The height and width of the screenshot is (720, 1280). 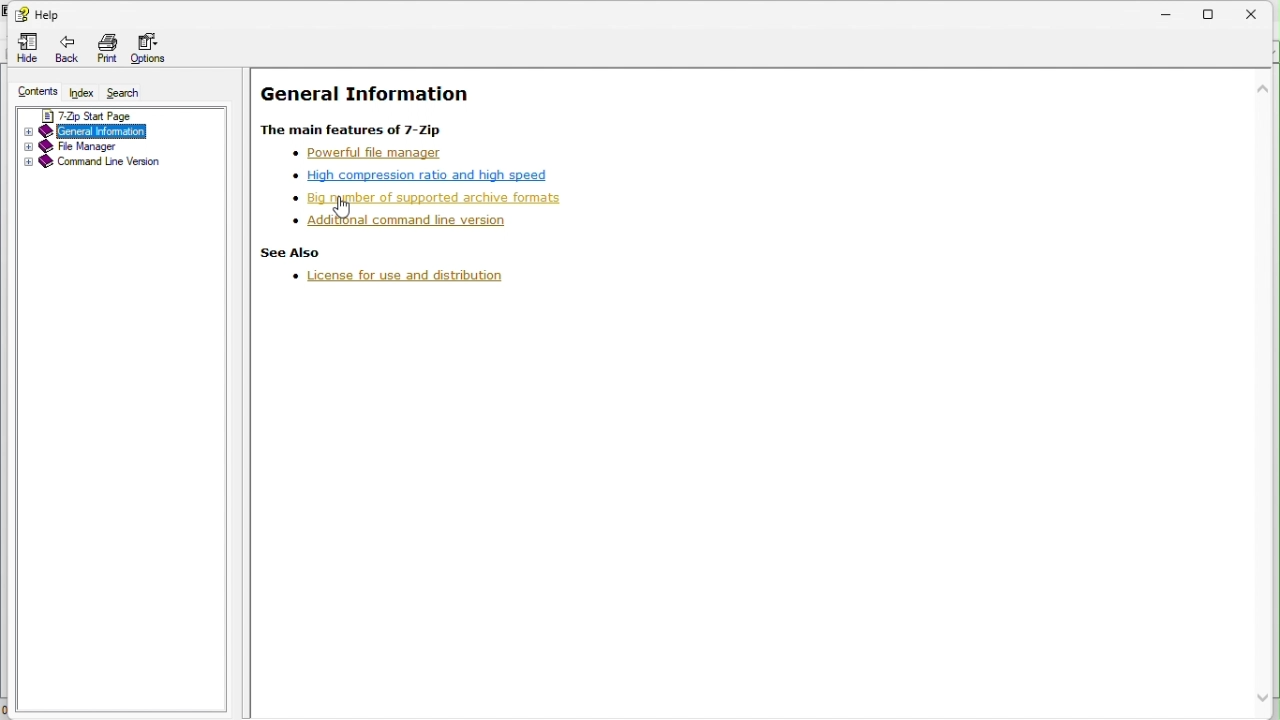 I want to click on General Information, so click(x=363, y=91).